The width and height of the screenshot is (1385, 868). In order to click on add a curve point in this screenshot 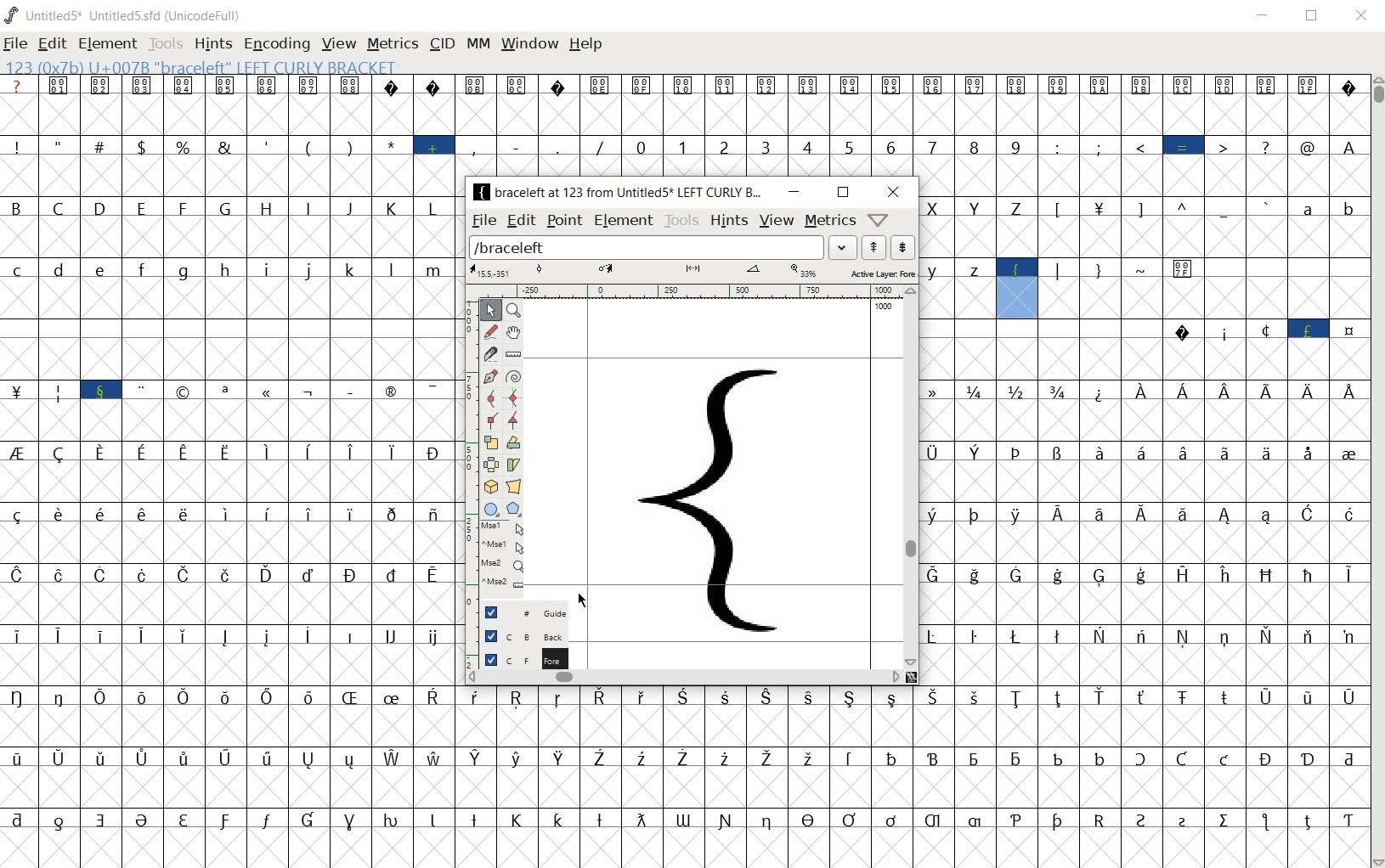, I will do `click(492, 398)`.